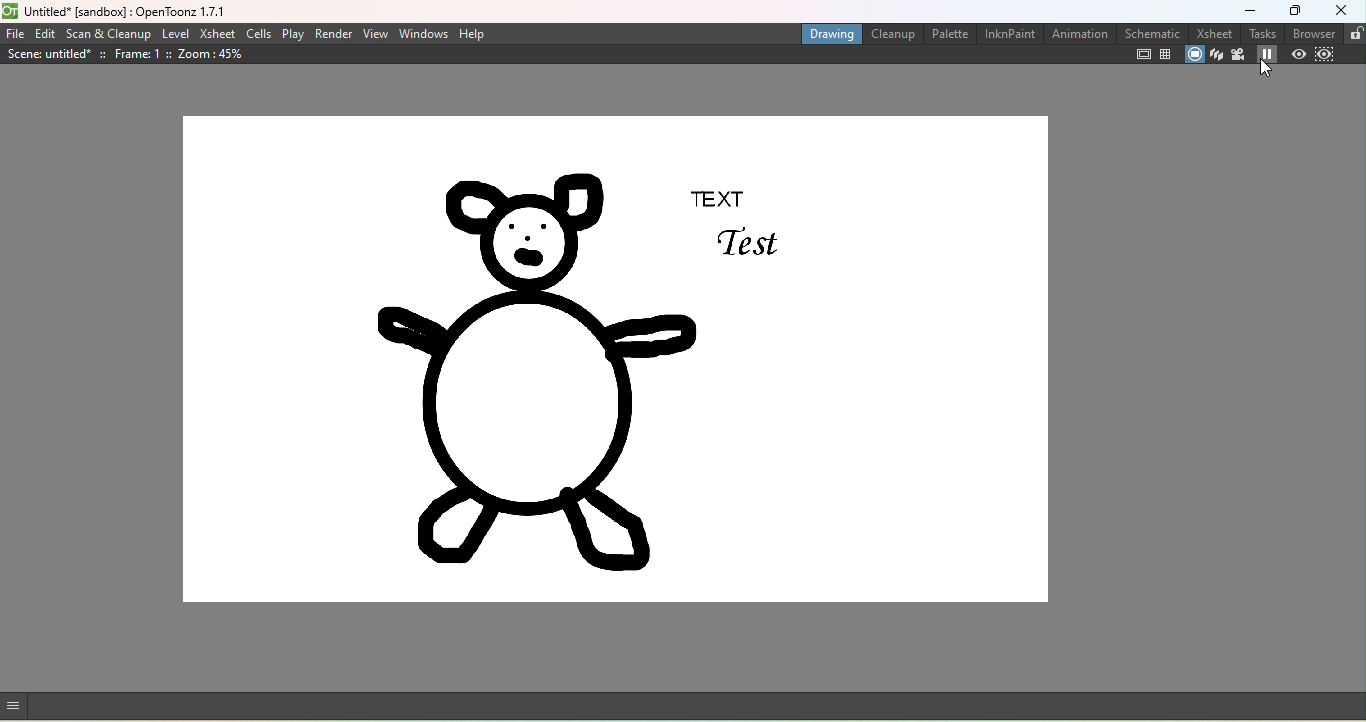 The width and height of the screenshot is (1366, 722). What do you see at coordinates (1140, 56) in the screenshot?
I see `Safe area` at bounding box center [1140, 56].